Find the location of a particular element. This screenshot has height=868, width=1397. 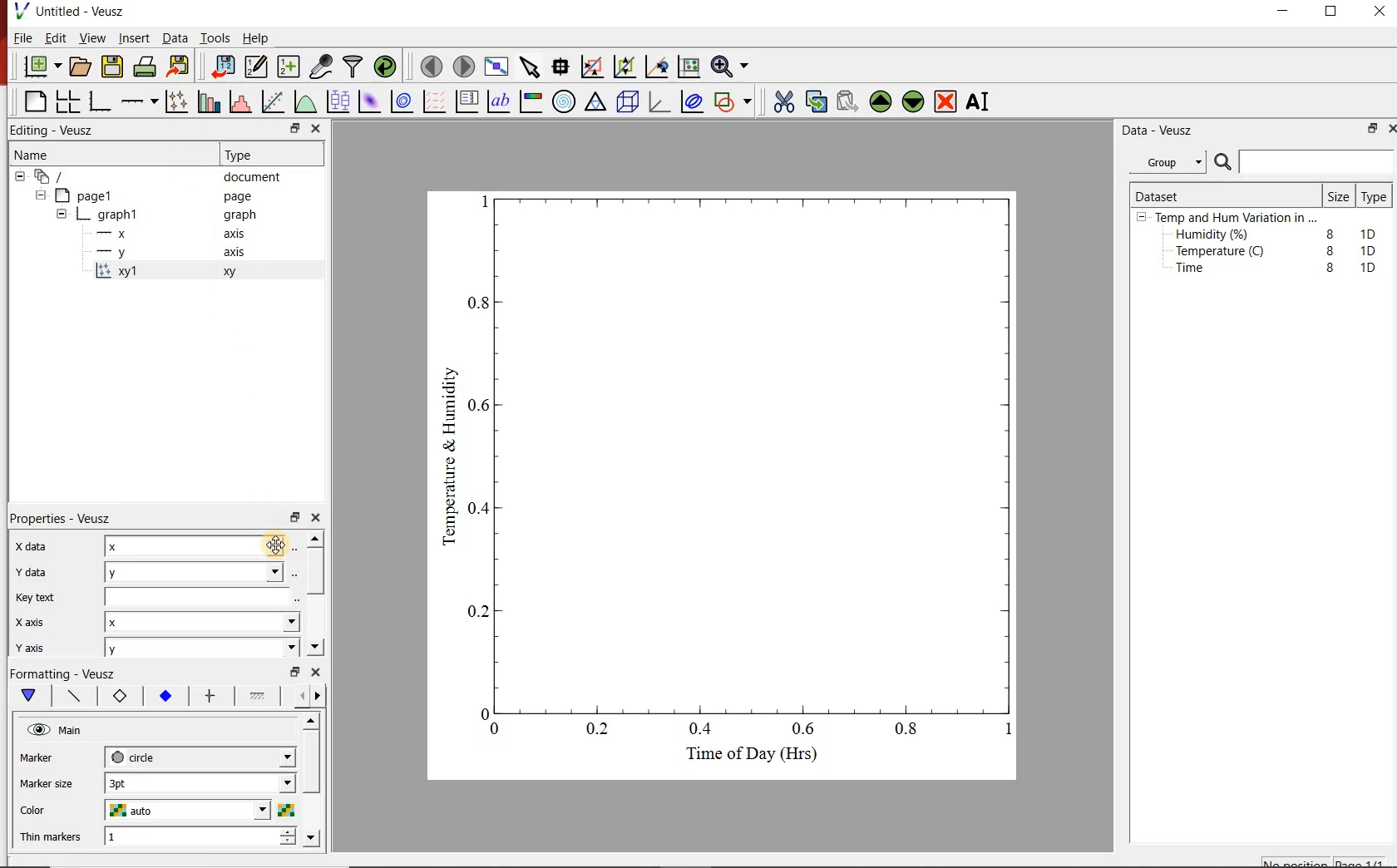

Marker dropdown is located at coordinates (262, 757).